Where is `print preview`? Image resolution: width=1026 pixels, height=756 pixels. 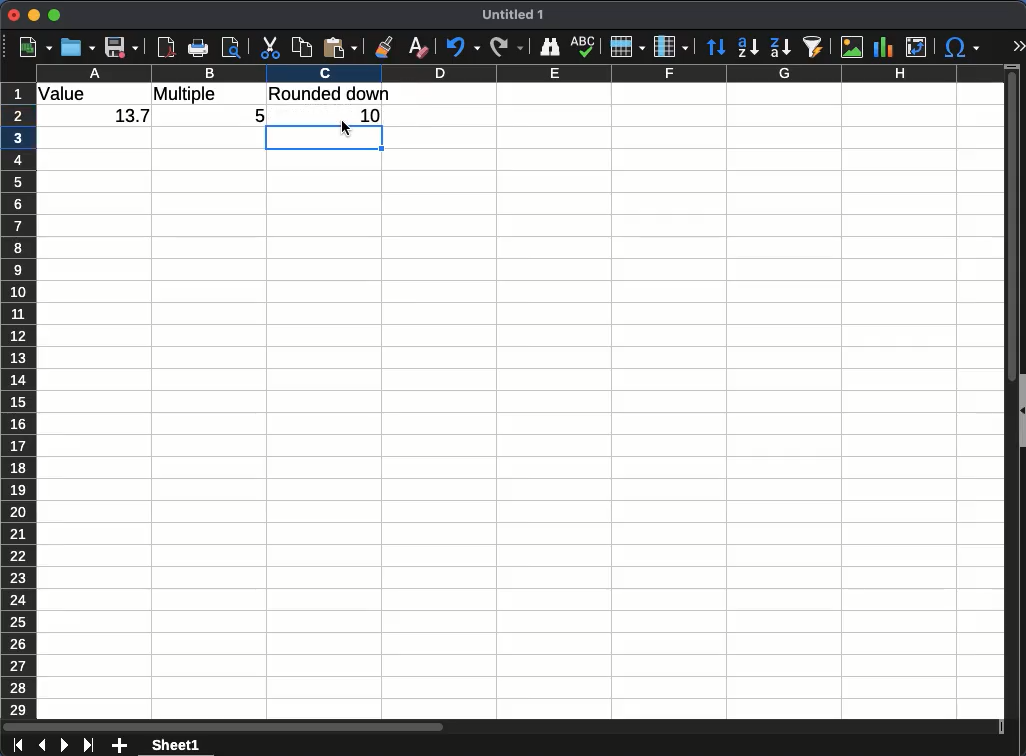
print preview is located at coordinates (232, 49).